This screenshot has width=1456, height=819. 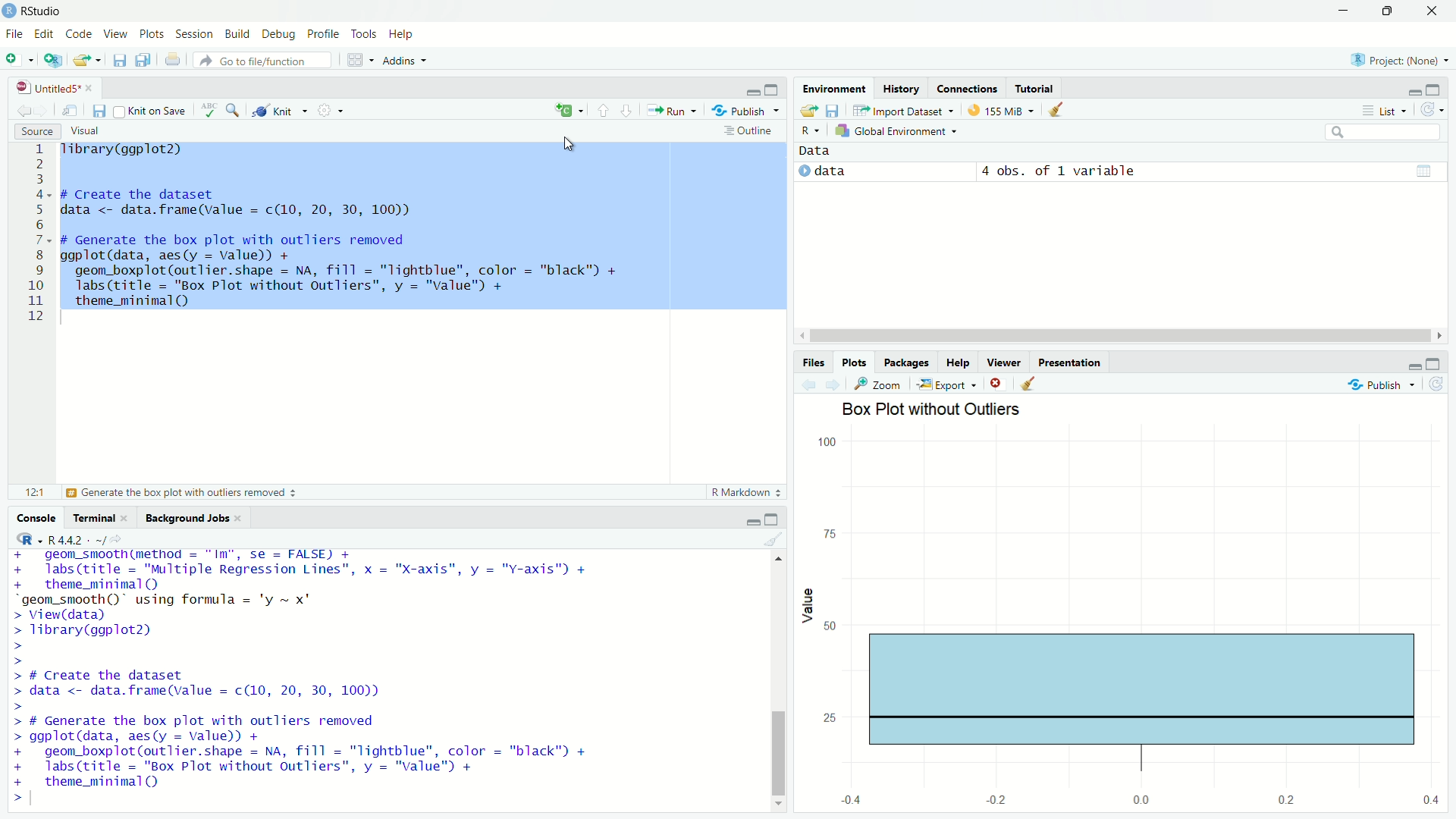 What do you see at coordinates (89, 130) in the screenshot?
I see `Visual` at bounding box center [89, 130].